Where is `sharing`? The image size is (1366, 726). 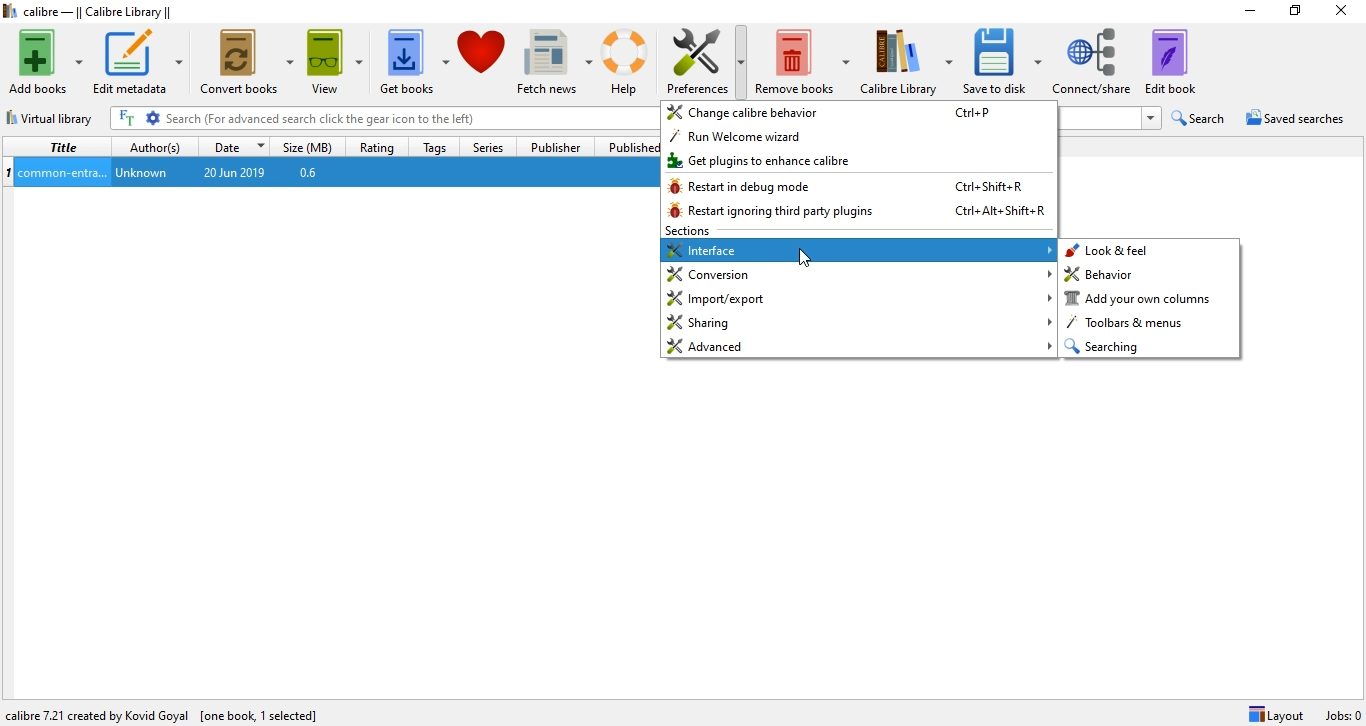 sharing is located at coordinates (858, 324).